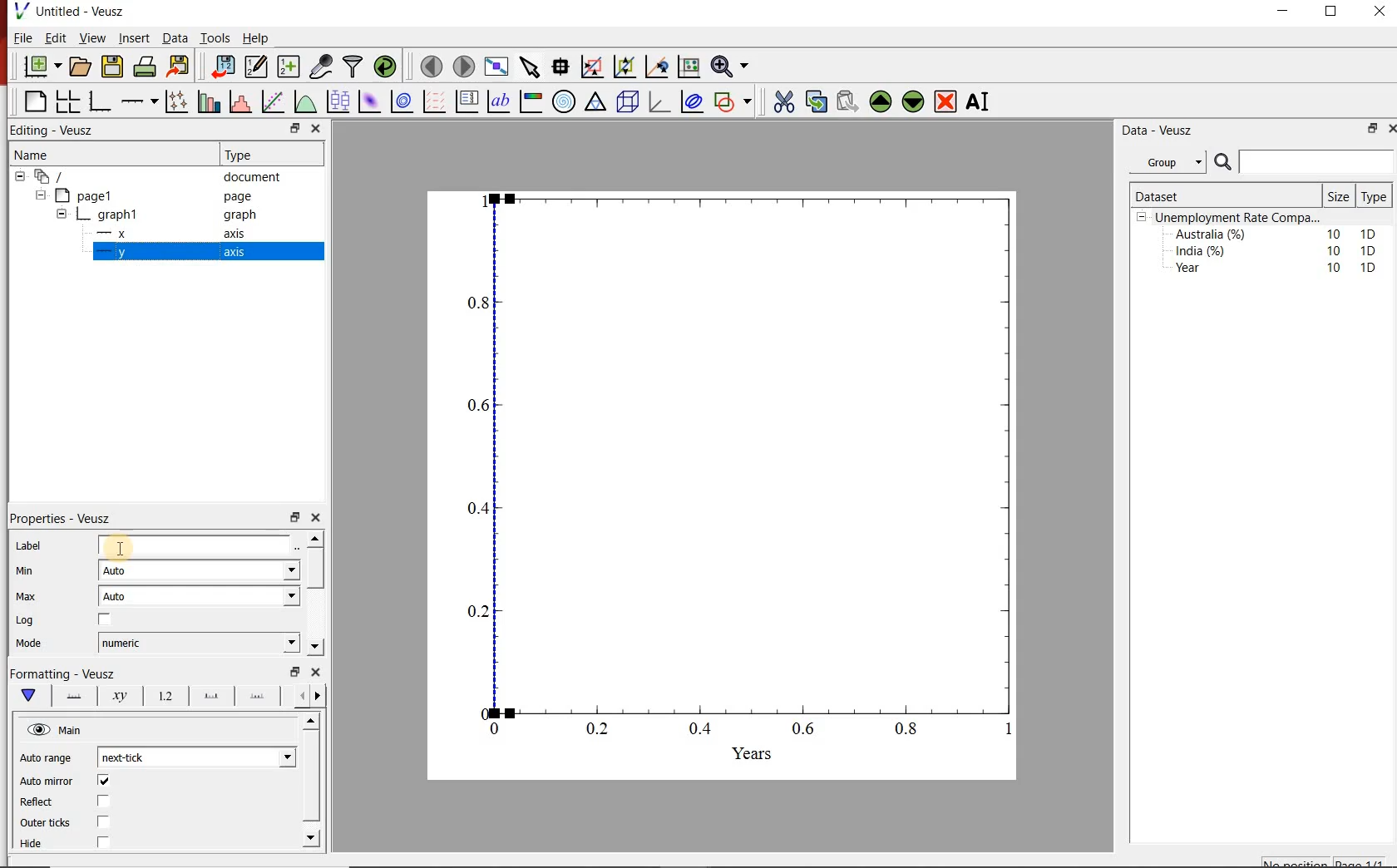 This screenshot has height=868, width=1397. What do you see at coordinates (198, 755) in the screenshot?
I see `next-tick` at bounding box center [198, 755].